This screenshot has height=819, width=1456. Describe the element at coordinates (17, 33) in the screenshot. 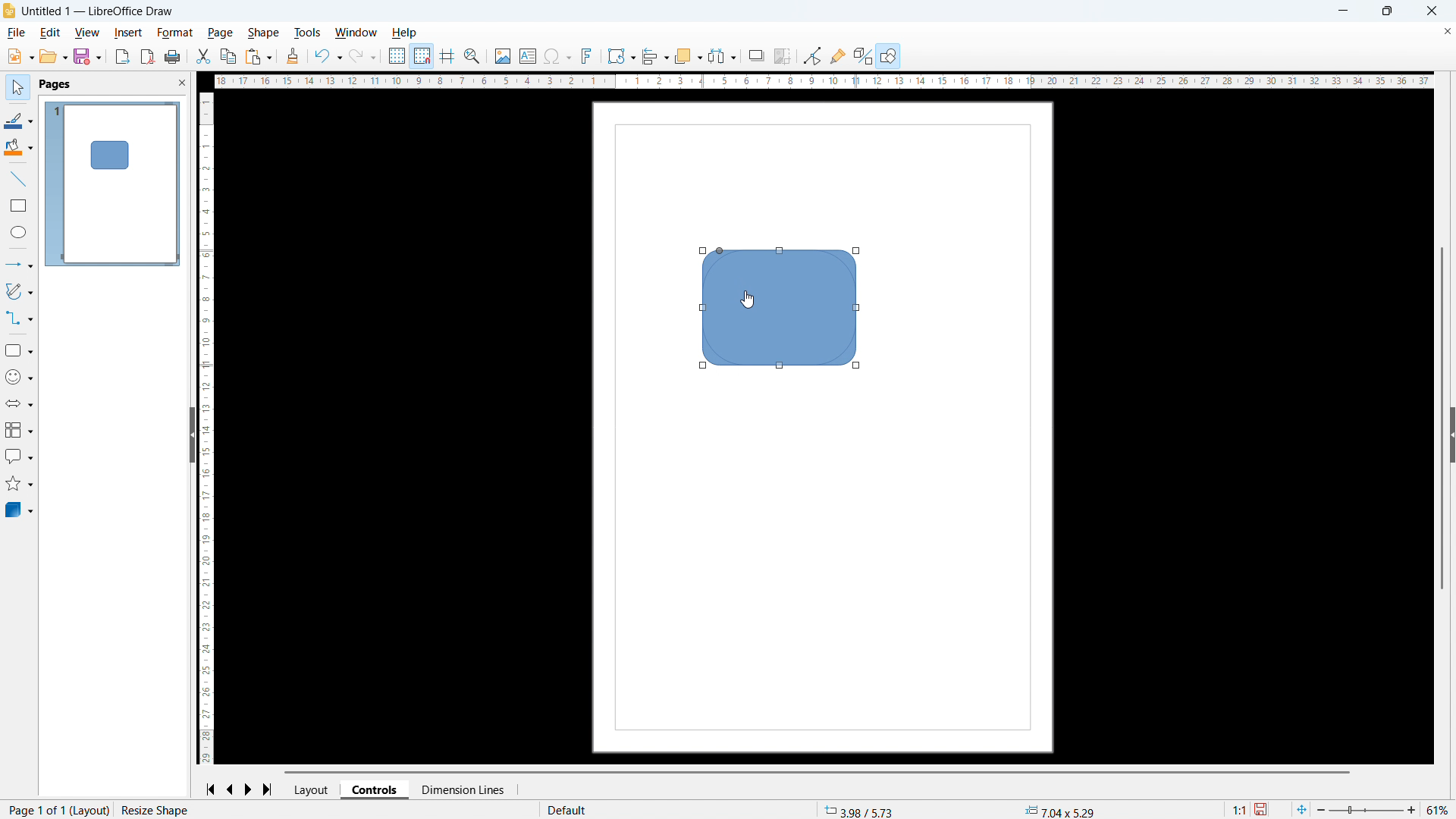

I see `File ` at that location.